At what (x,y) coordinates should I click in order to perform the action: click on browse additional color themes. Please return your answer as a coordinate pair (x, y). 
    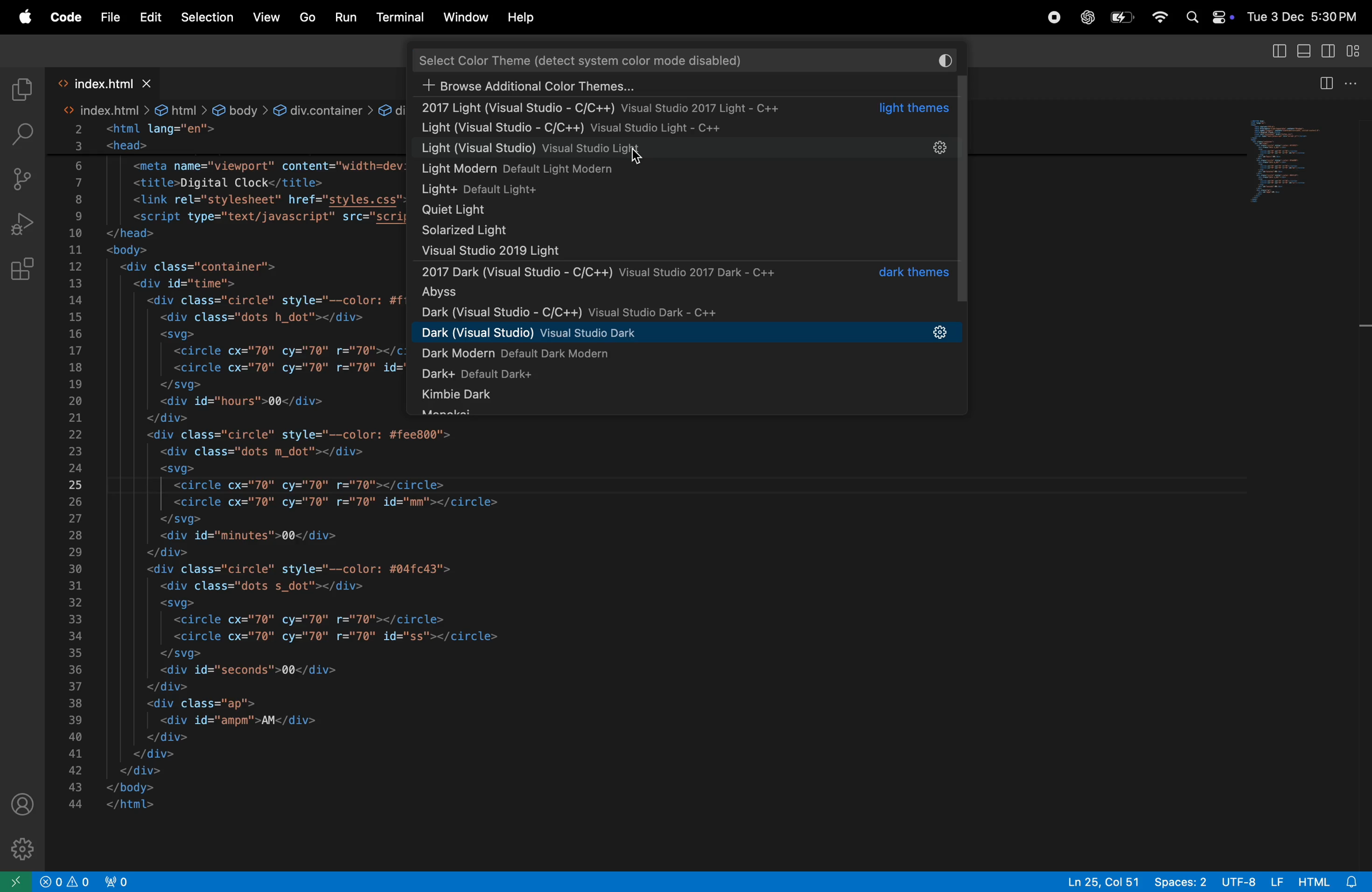
    Looking at the image, I should click on (643, 87).